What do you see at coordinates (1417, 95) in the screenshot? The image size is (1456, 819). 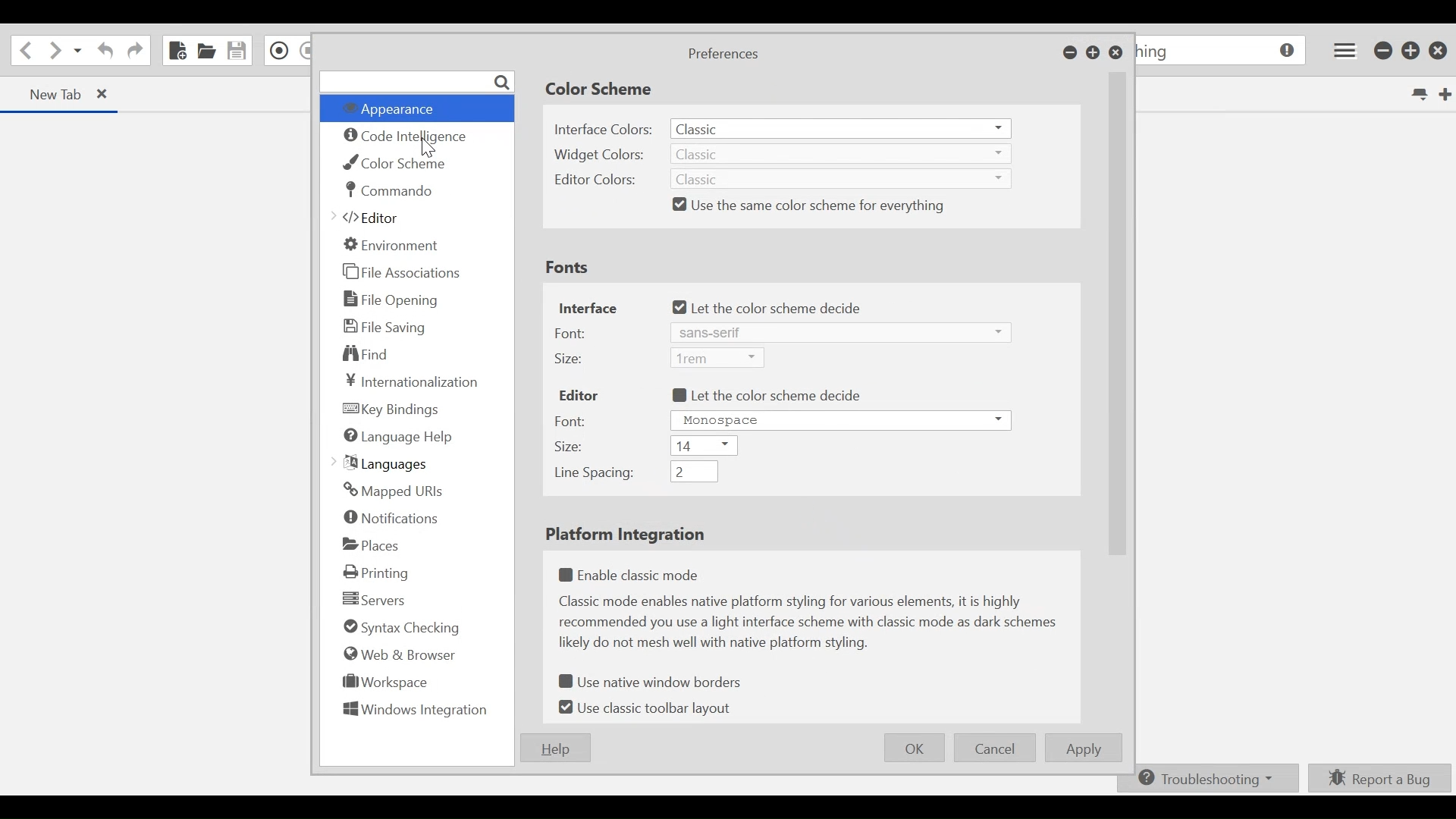 I see `List of tabs` at bounding box center [1417, 95].